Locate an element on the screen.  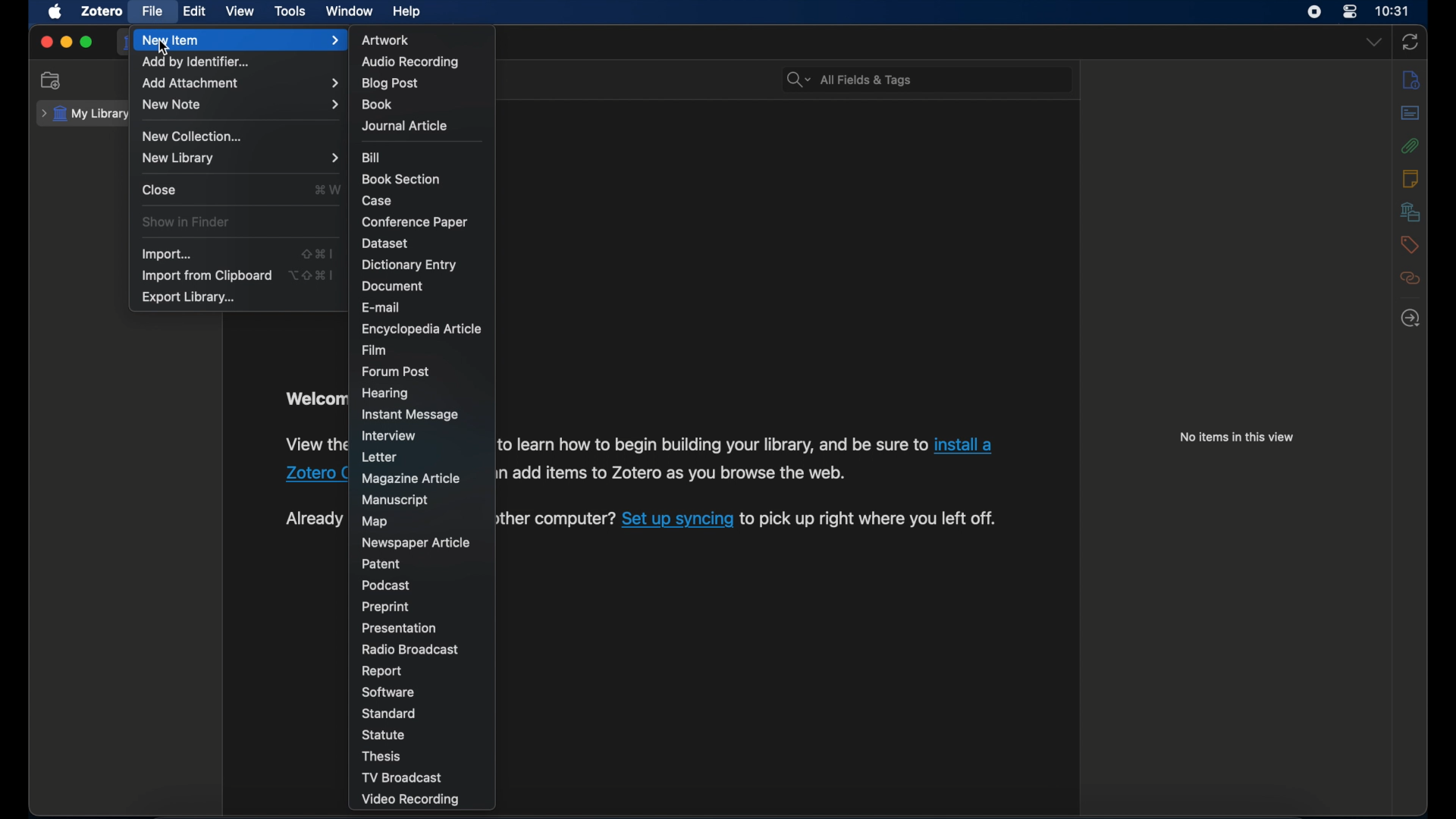
statue is located at coordinates (383, 735).